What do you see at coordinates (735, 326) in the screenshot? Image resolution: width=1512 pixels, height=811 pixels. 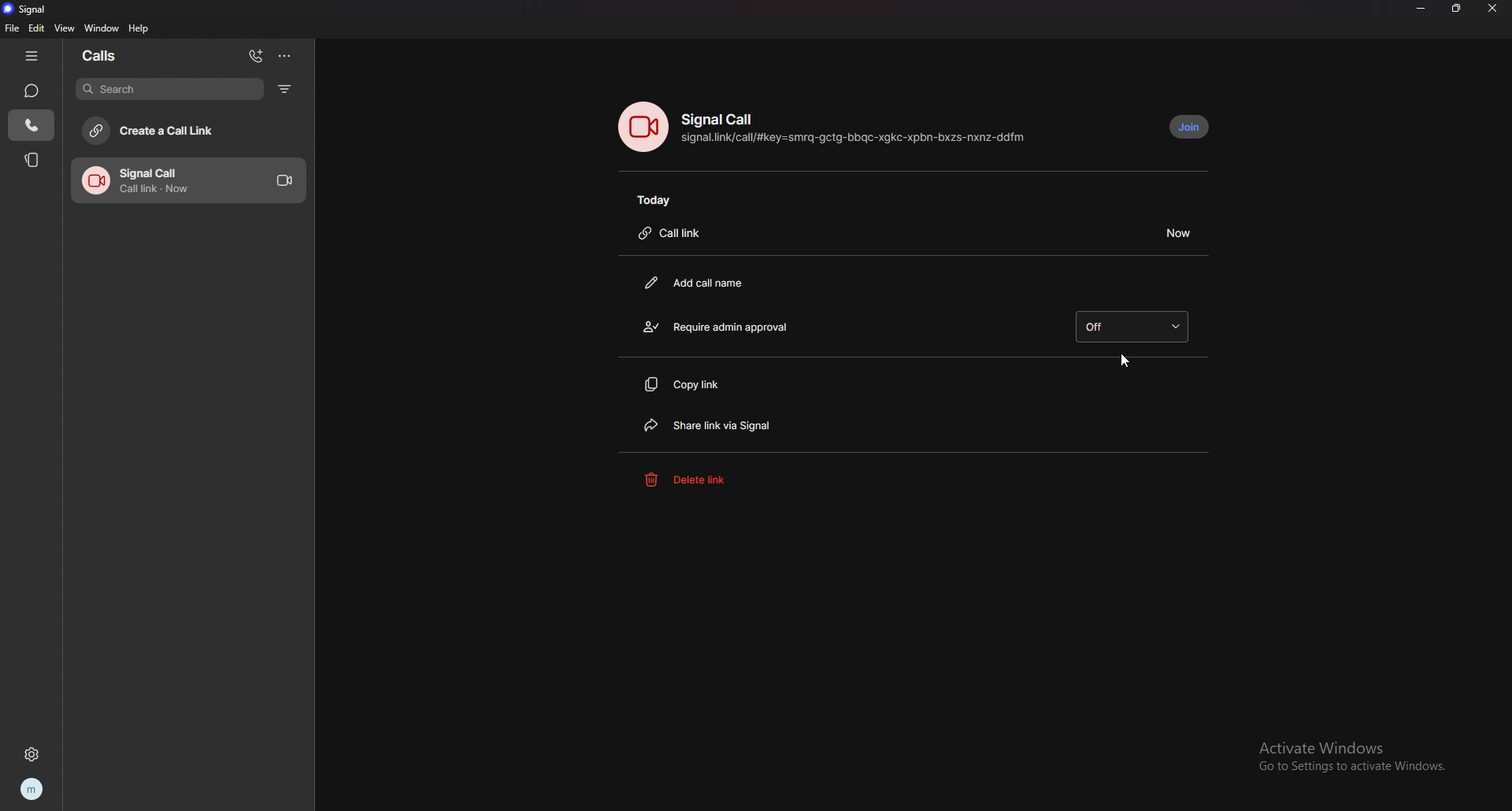 I see `require admin approval` at bounding box center [735, 326].